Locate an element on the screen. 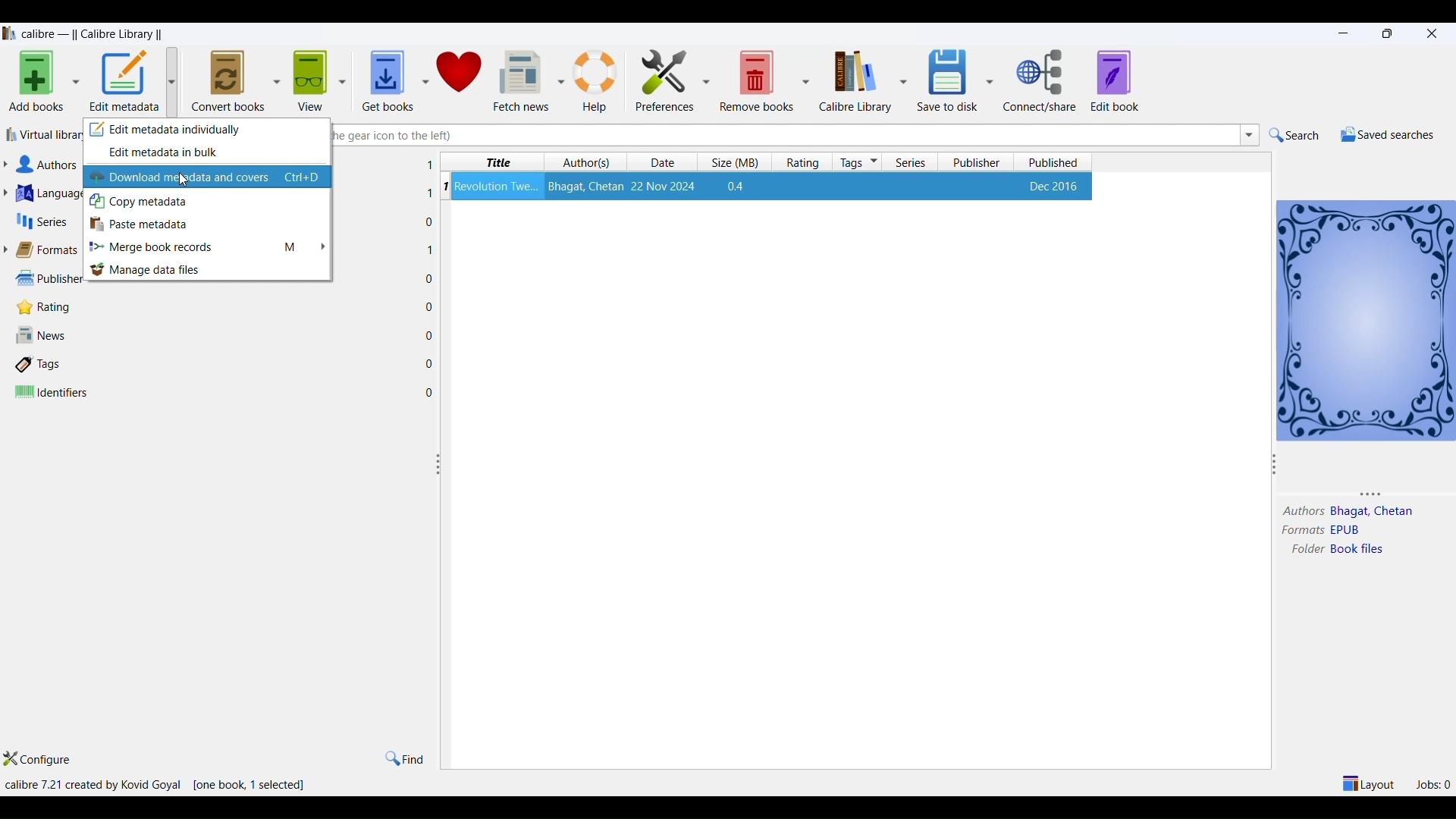  0 is located at coordinates (431, 391).